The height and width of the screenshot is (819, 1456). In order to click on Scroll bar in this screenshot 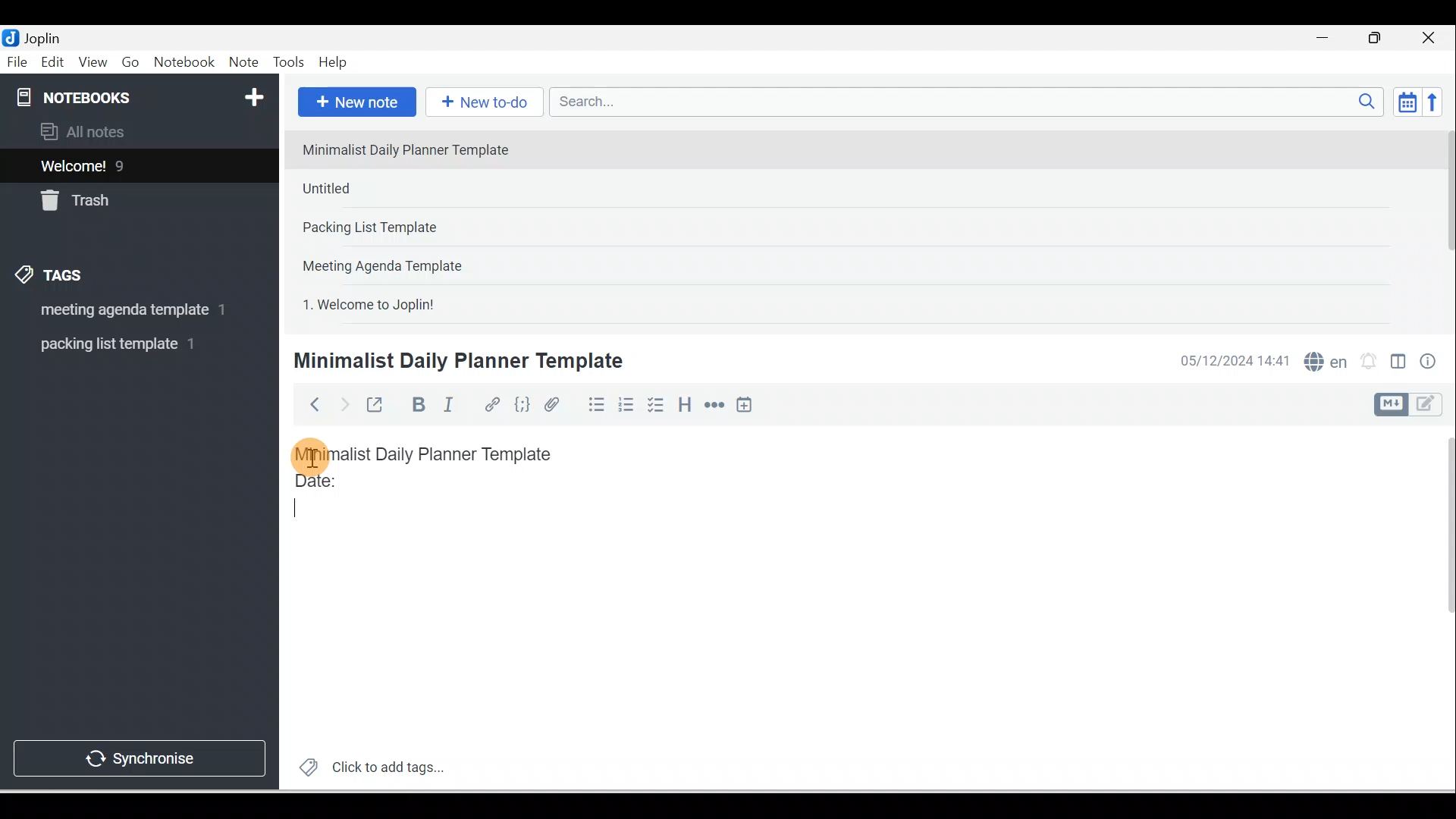, I will do `click(1444, 224)`.